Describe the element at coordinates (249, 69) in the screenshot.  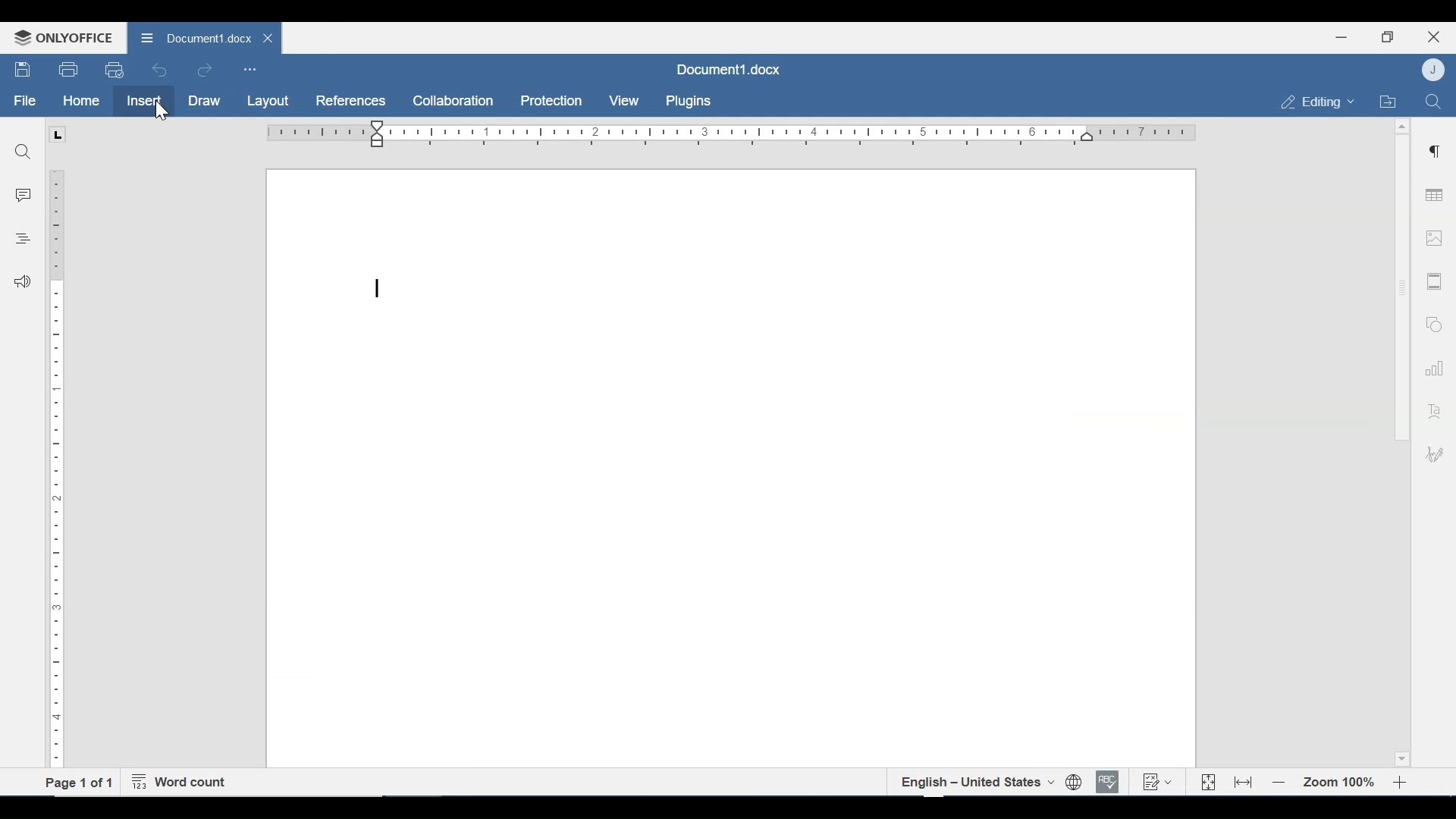
I see `Customize Quick Access Toolbar` at that location.